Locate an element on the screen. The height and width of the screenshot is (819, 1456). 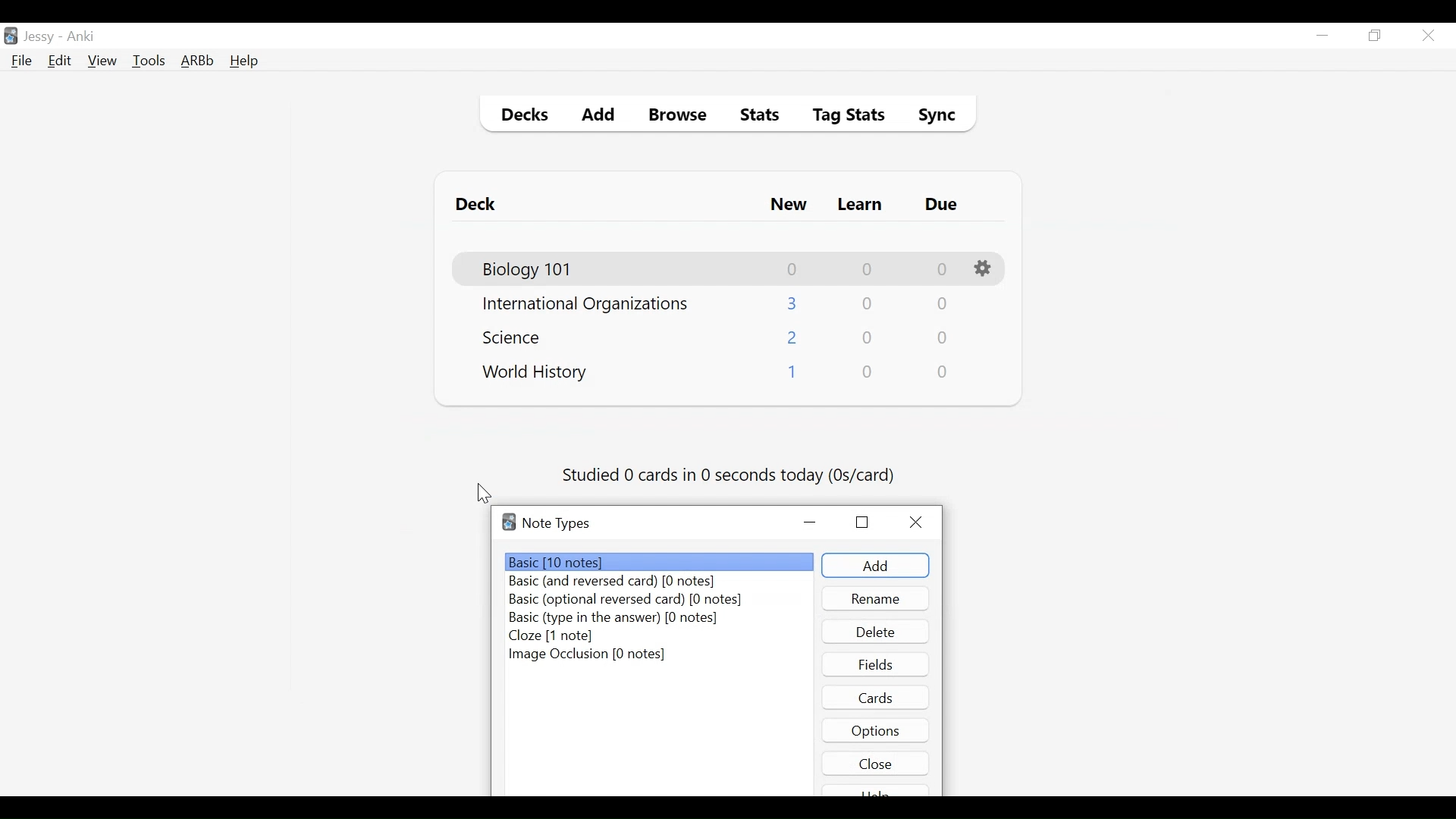
Close is located at coordinates (920, 522).